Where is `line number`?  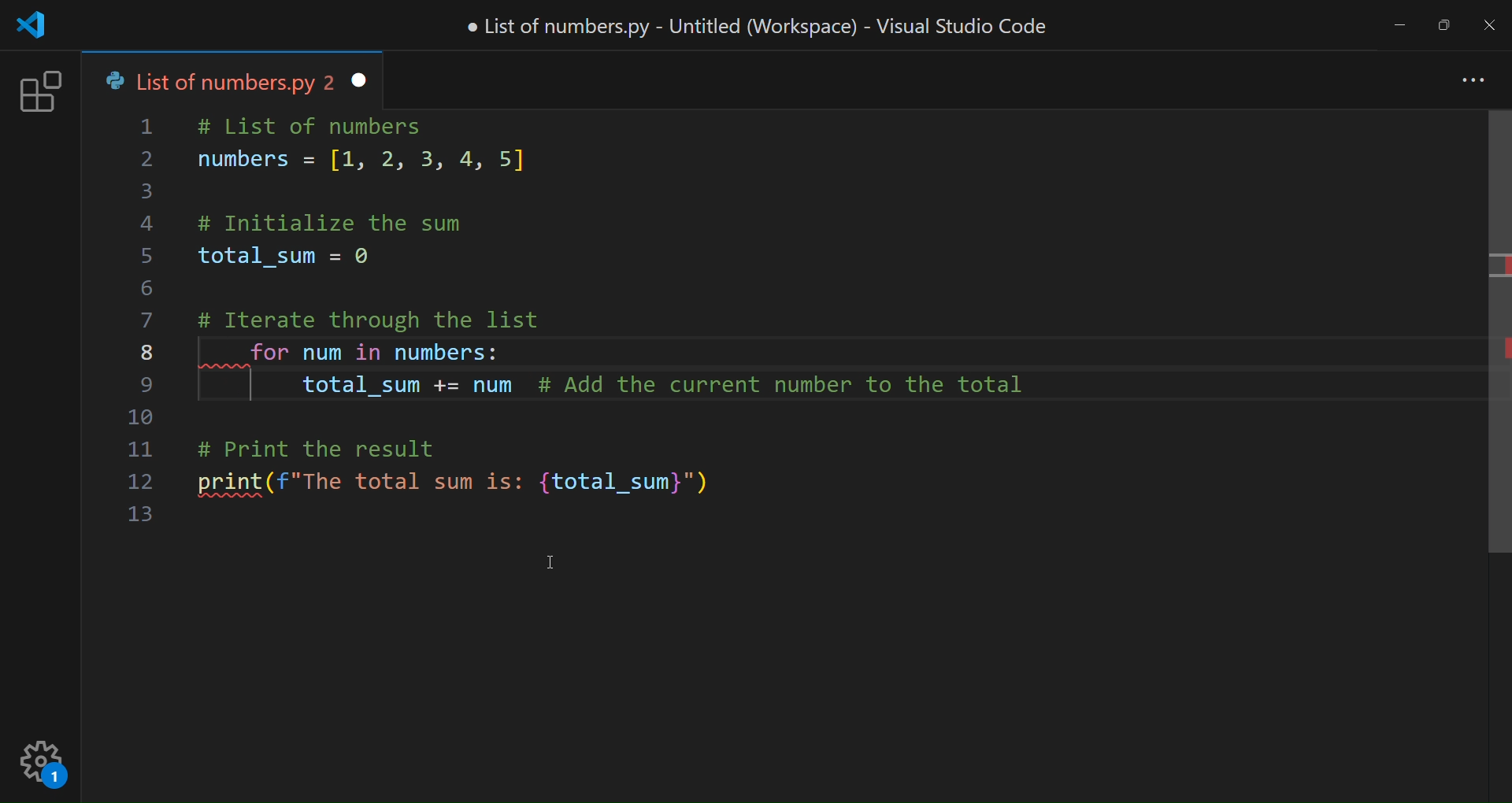 line number is located at coordinates (144, 327).